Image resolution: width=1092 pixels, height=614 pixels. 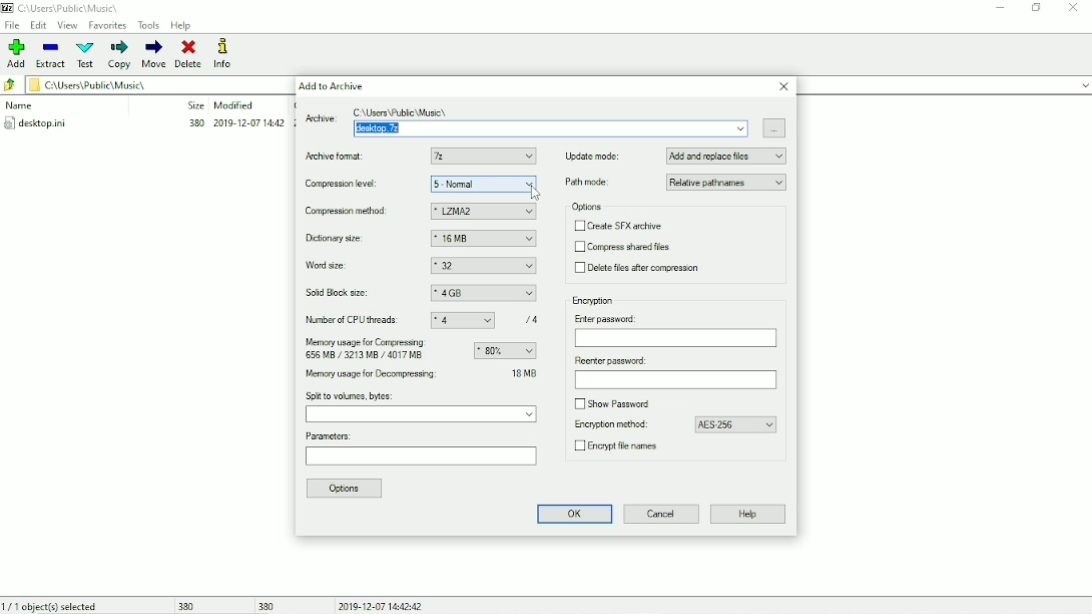 I want to click on Reenter password, so click(x=609, y=361).